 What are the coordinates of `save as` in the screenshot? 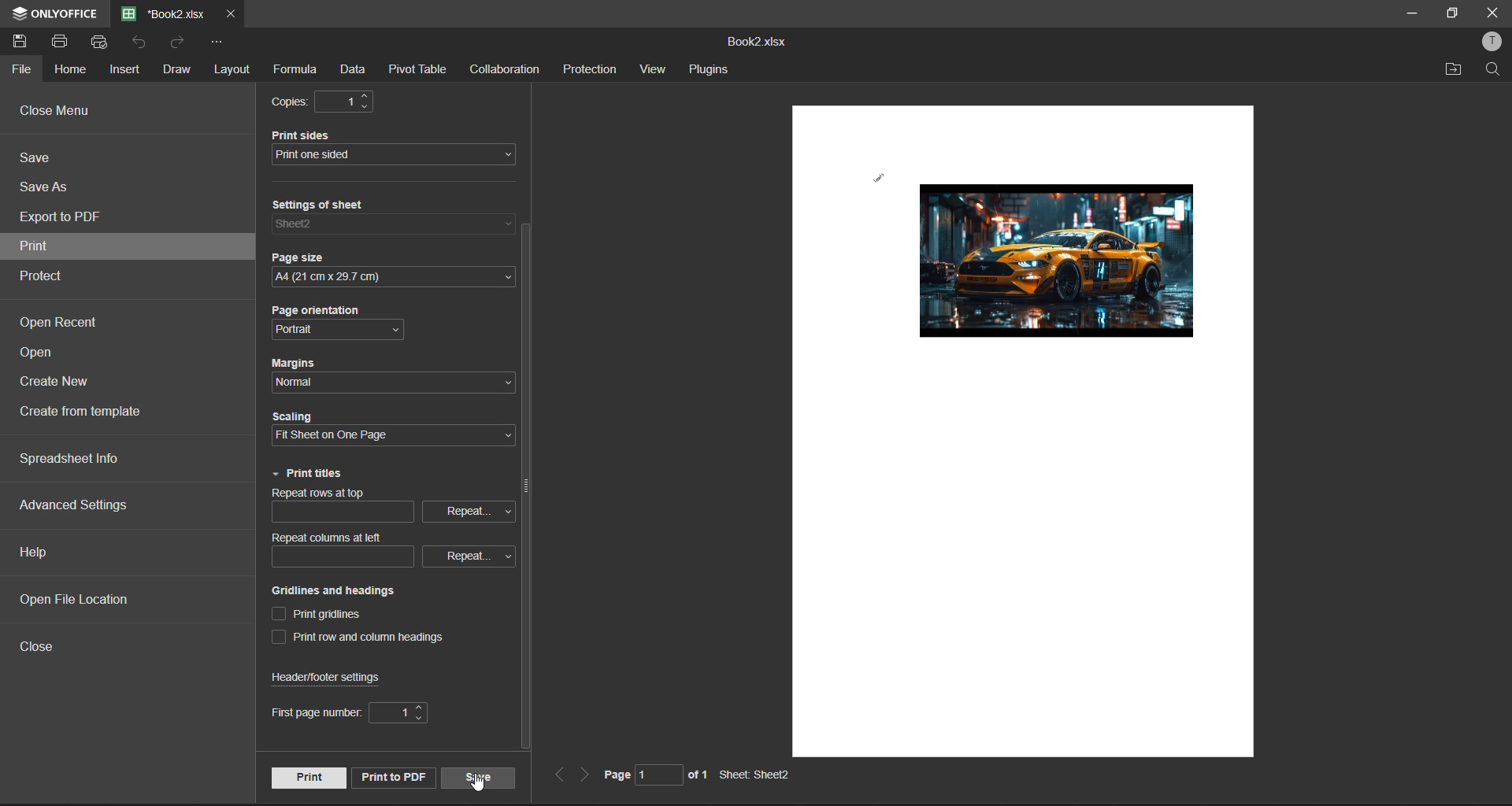 It's located at (47, 188).